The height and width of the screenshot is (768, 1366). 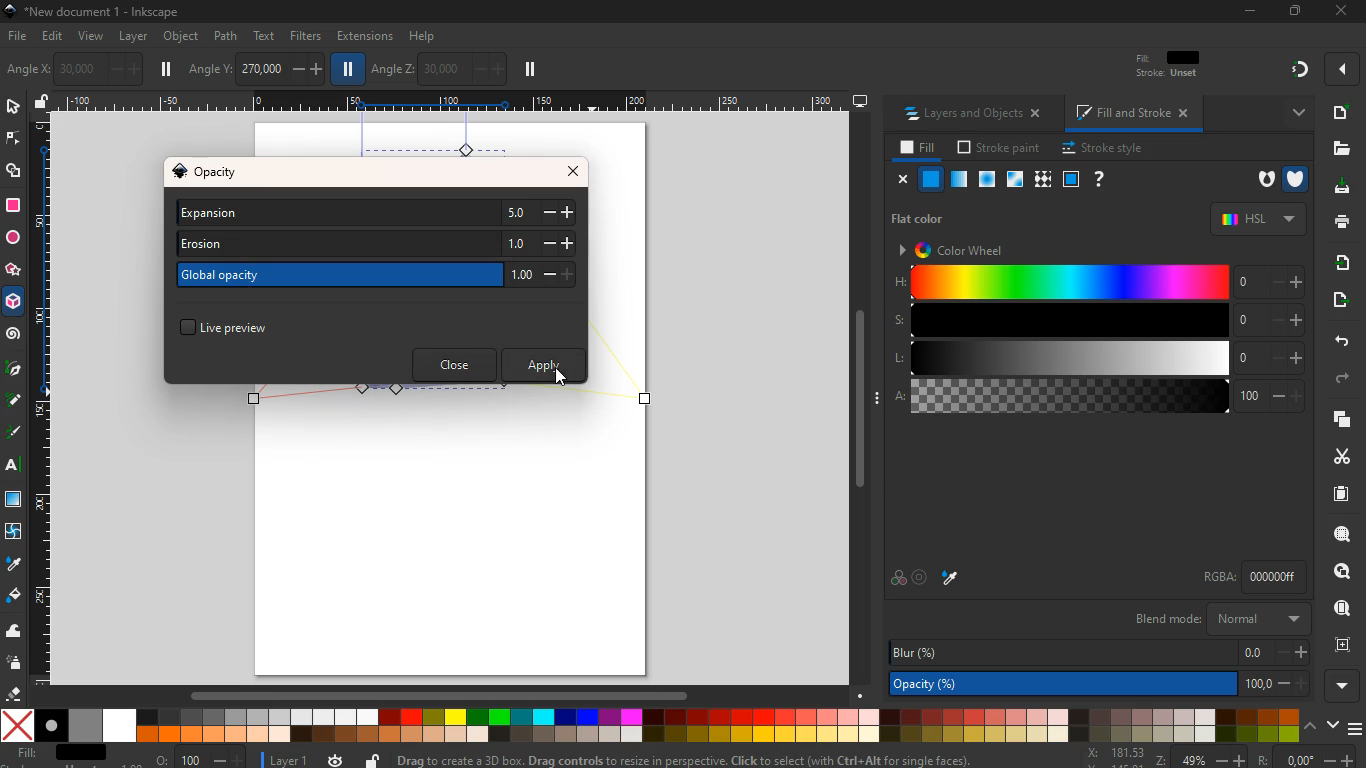 What do you see at coordinates (957, 180) in the screenshot?
I see `opacity` at bounding box center [957, 180].